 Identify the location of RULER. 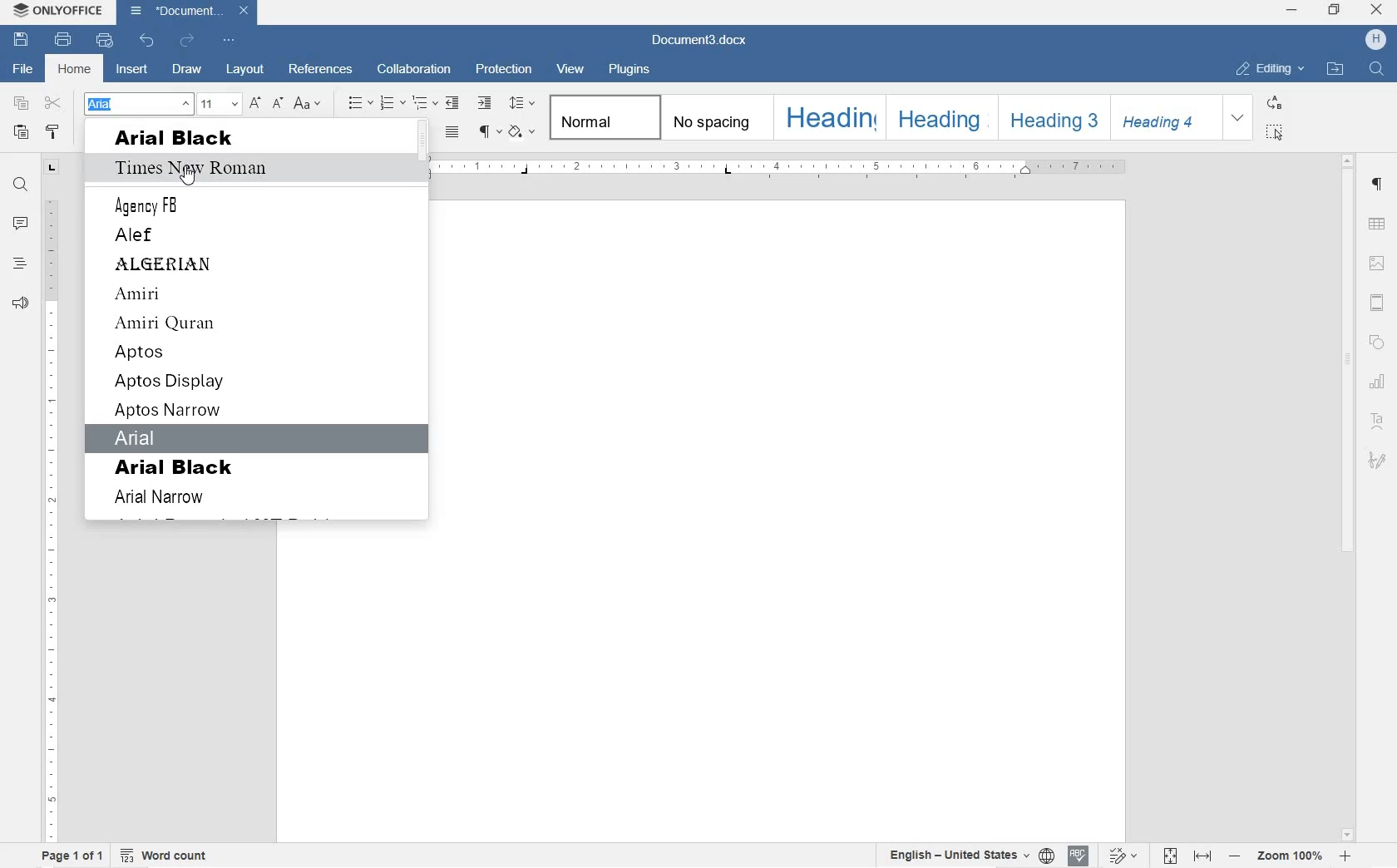
(51, 520).